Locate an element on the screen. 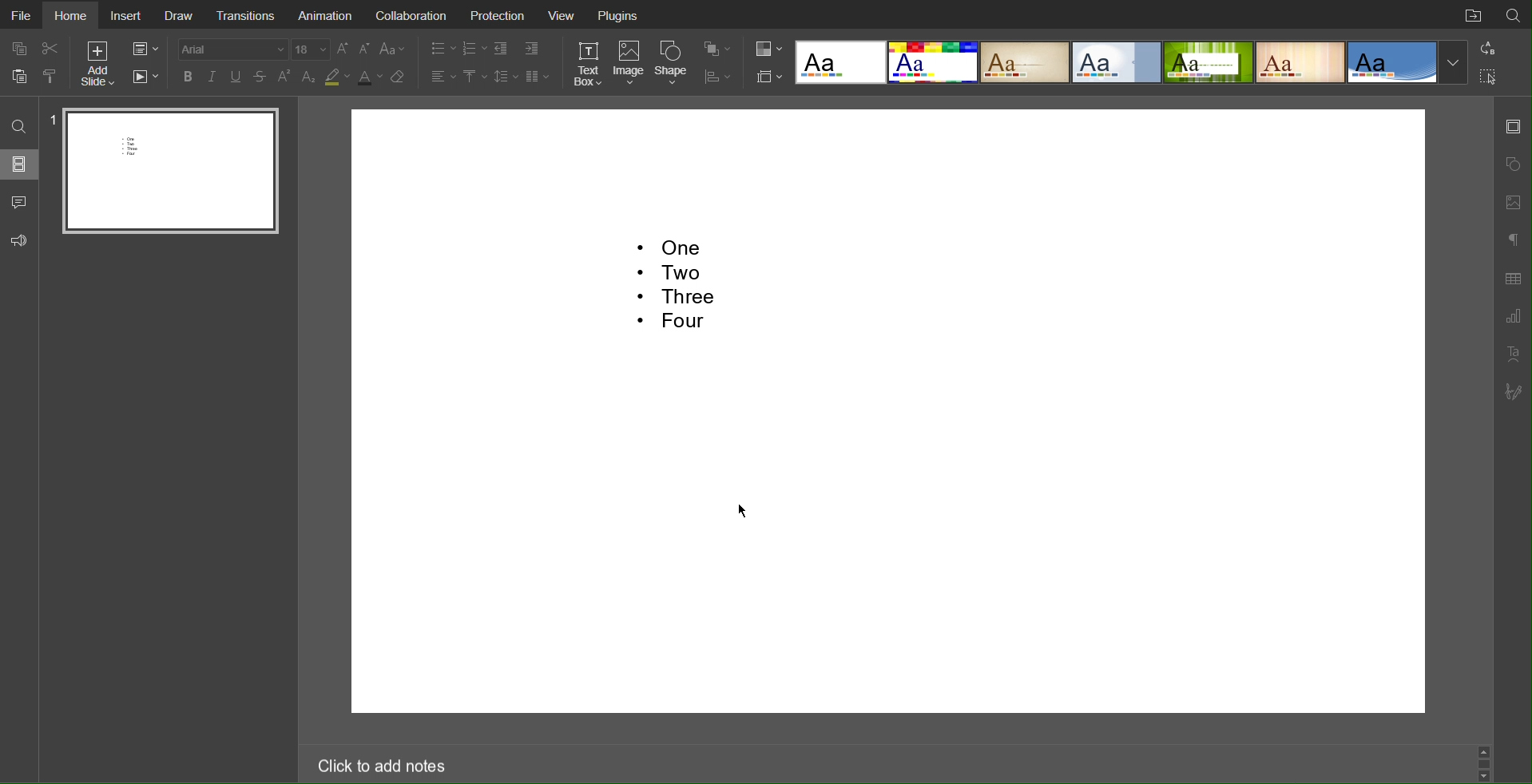 The width and height of the screenshot is (1532, 784). Add Slide is located at coordinates (101, 64).